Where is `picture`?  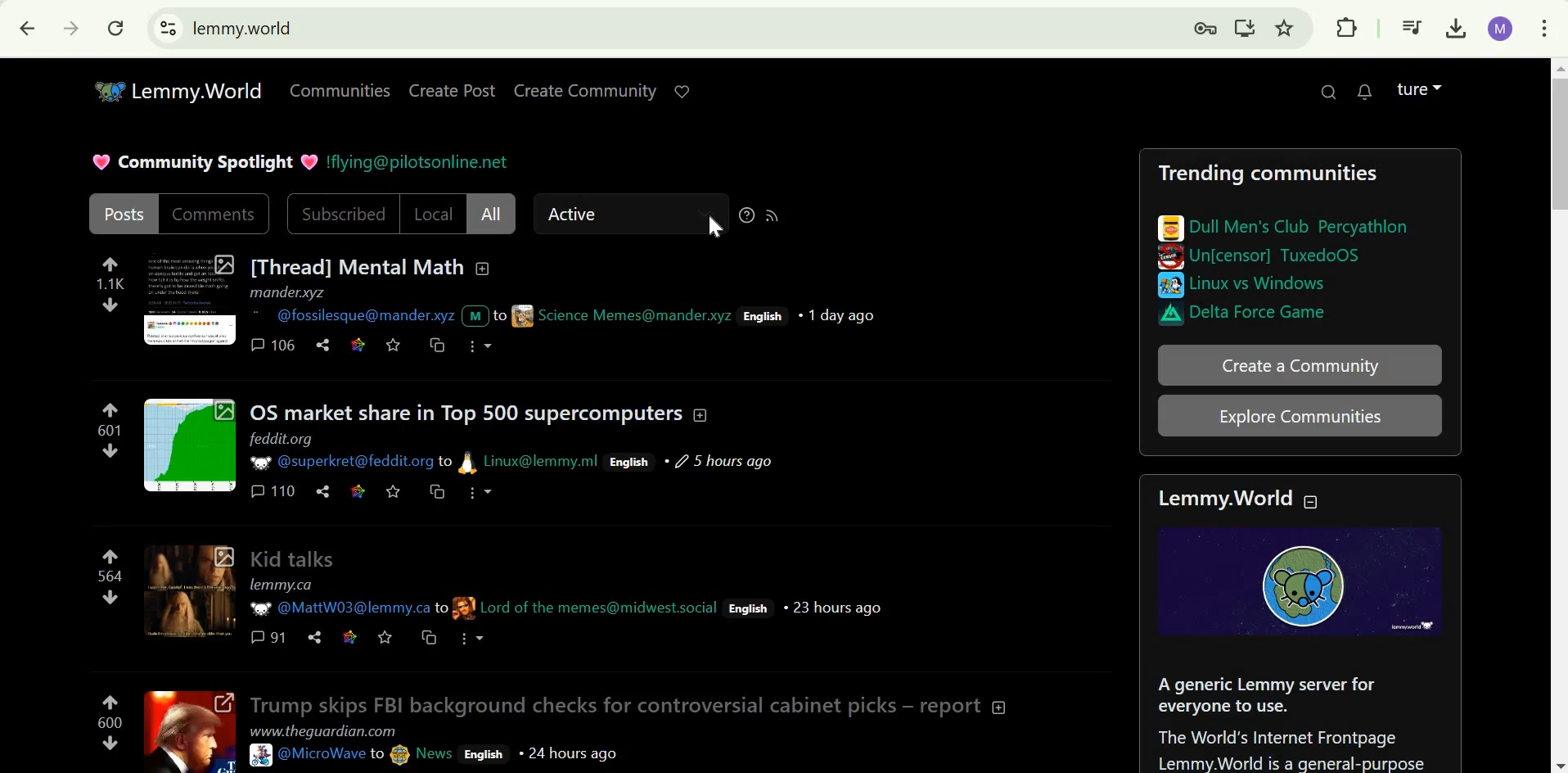
picture is located at coordinates (464, 607).